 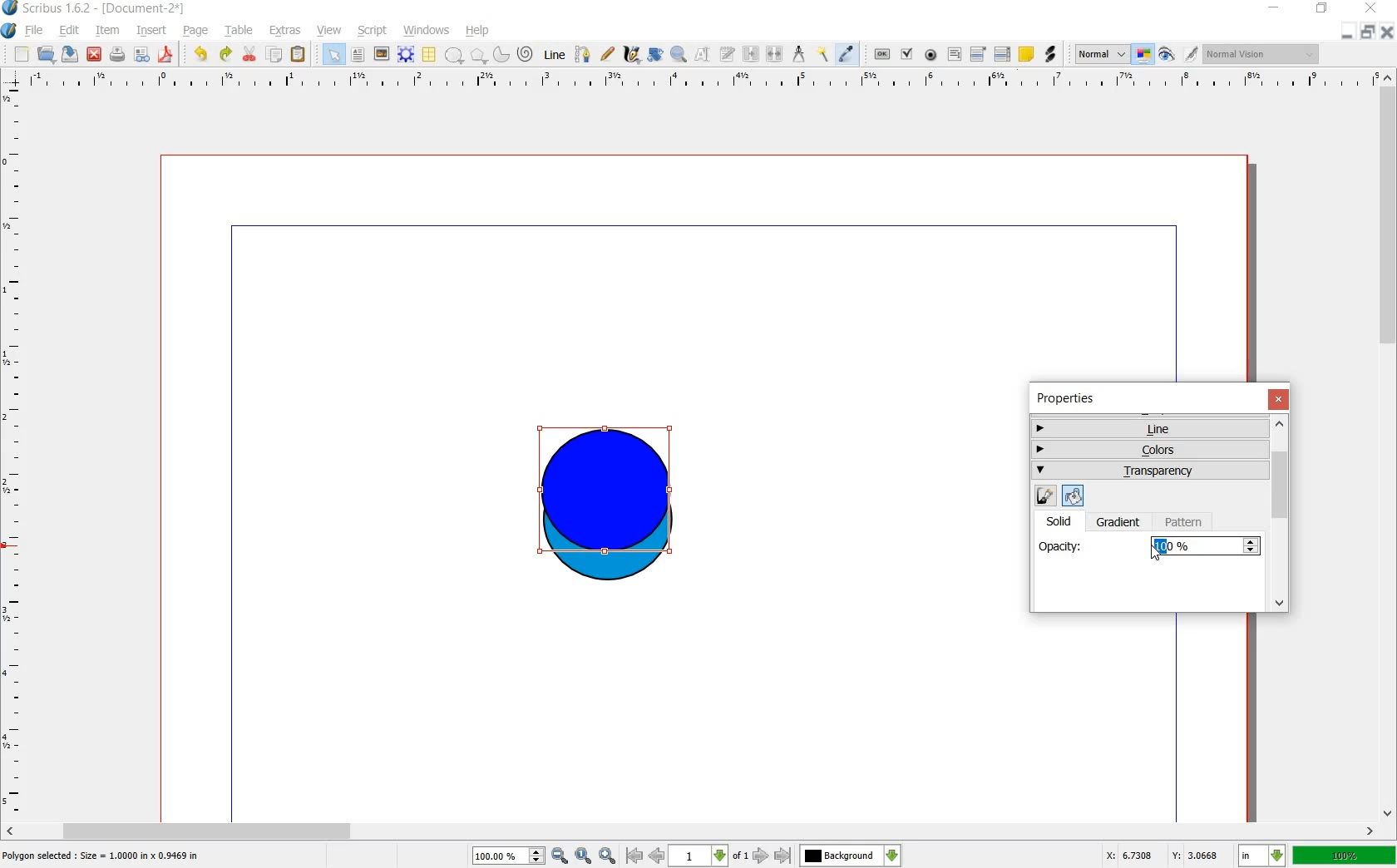 I want to click on zoom to, so click(x=584, y=856).